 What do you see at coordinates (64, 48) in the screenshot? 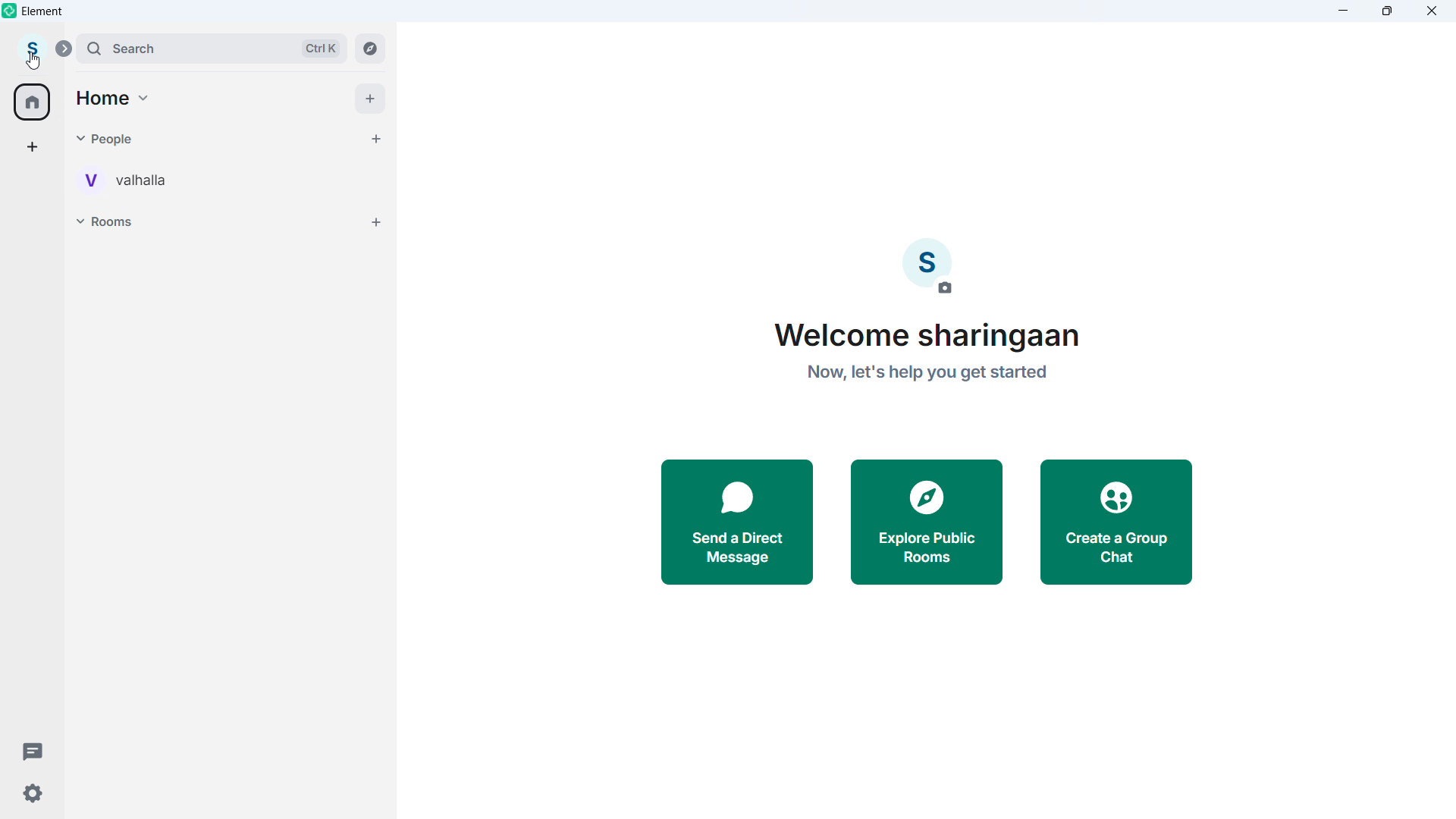
I see `expand` at bounding box center [64, 48].